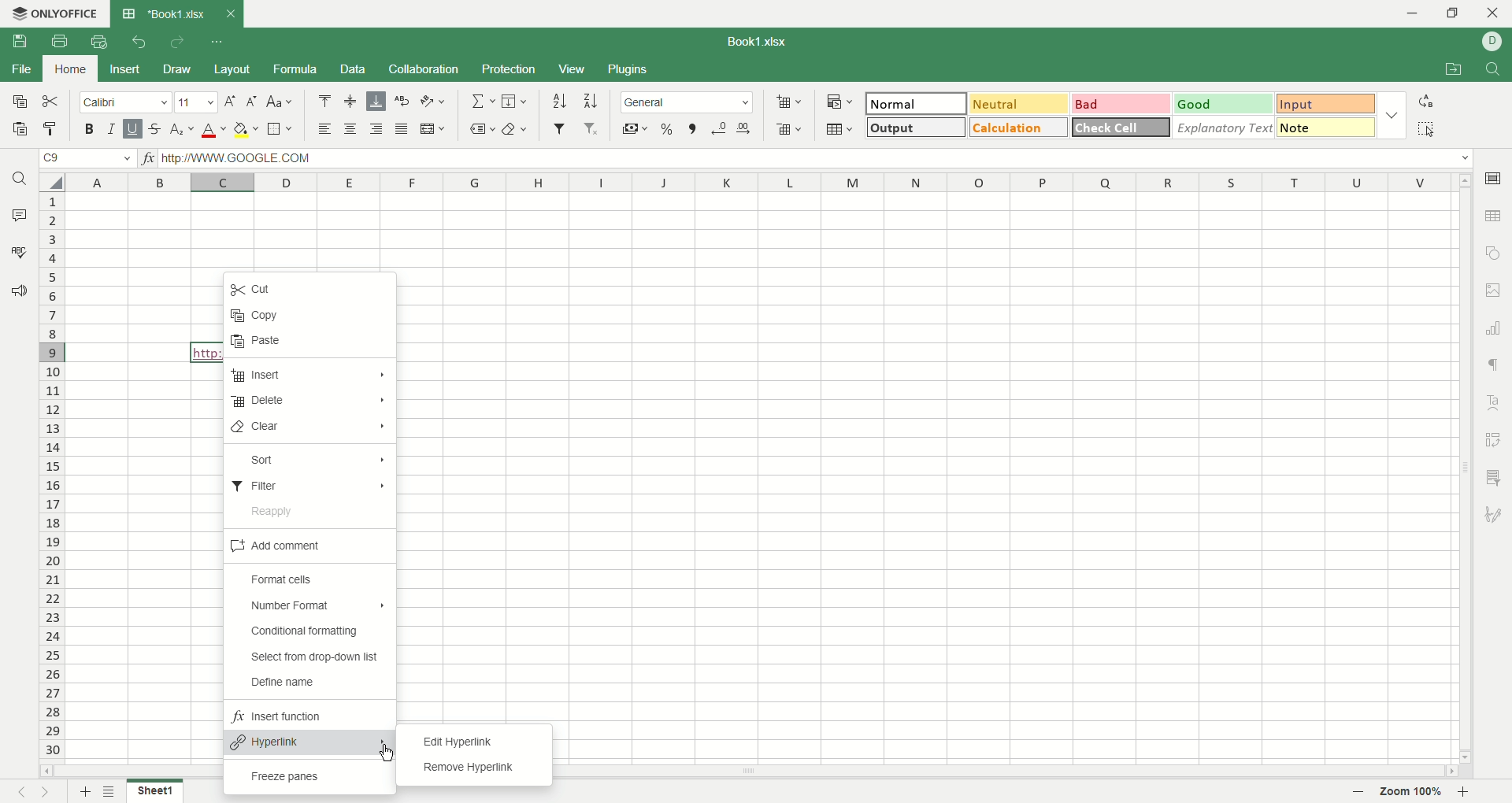 The width and height of the screenshot is (1512, 803). I want to click on align left, so click(322, 129).